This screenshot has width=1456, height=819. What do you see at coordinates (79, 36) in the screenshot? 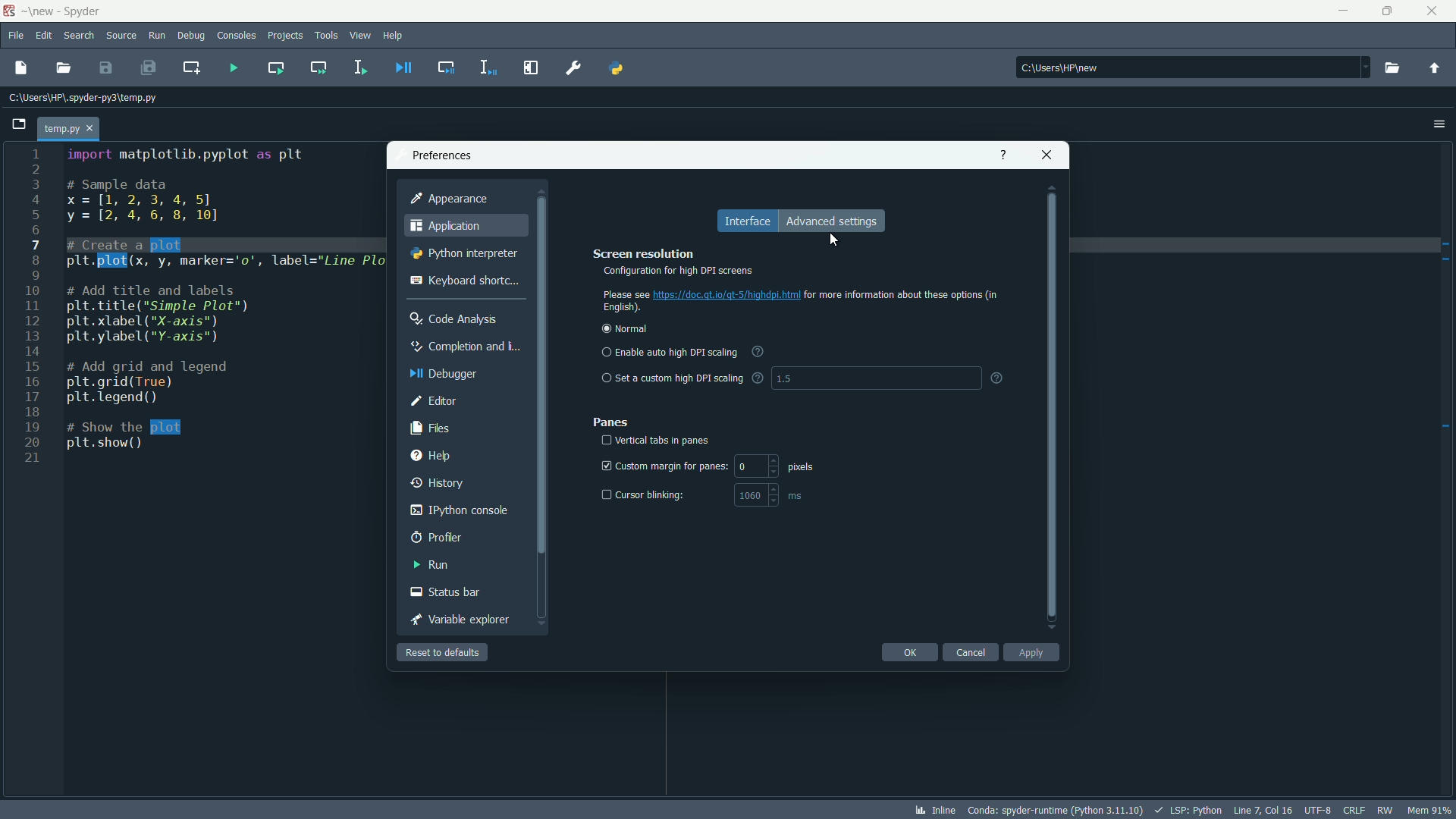
I see `search` at bounding box center [79, 36].